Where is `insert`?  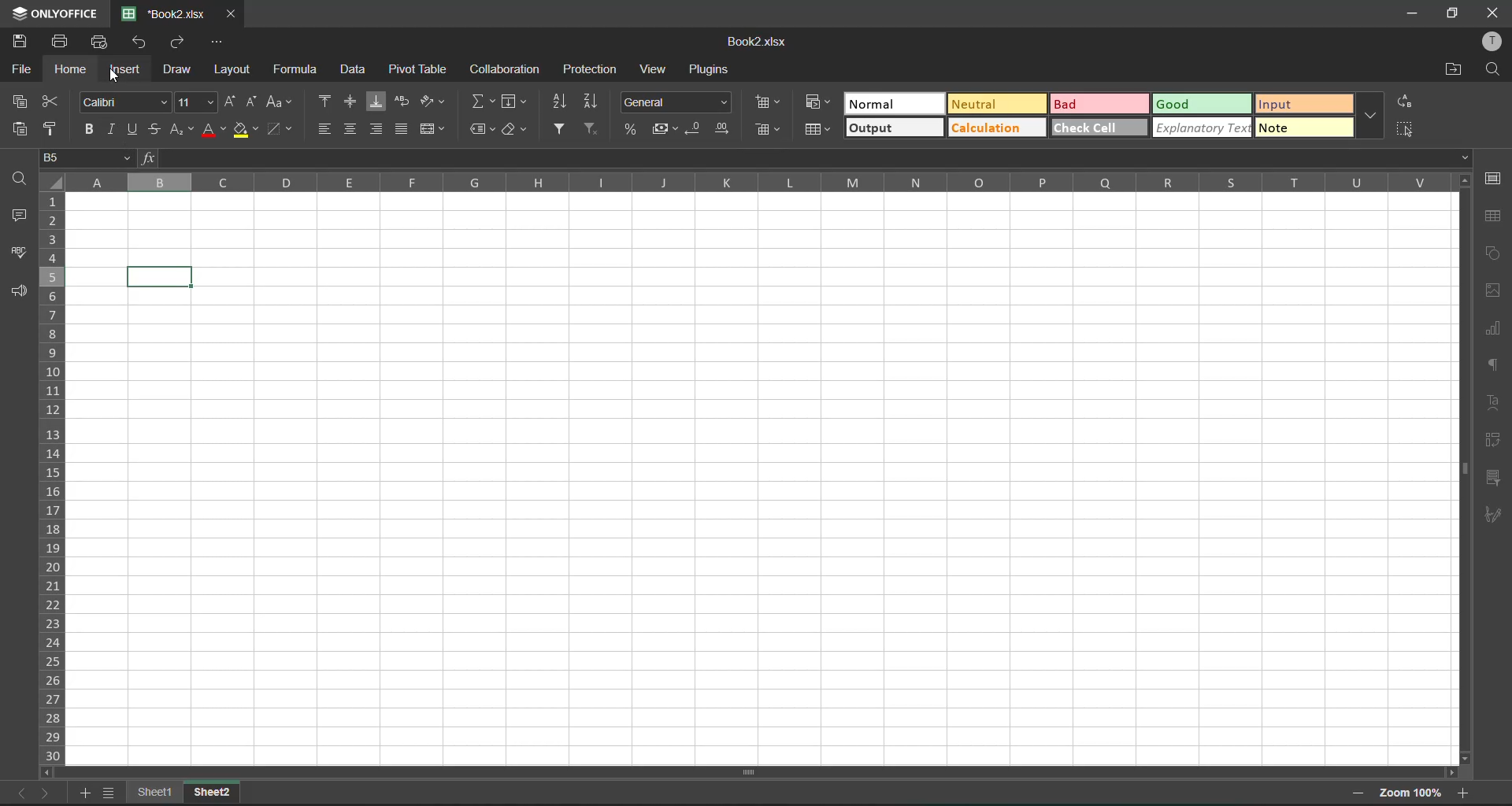
insert is located at coordinates (131, 68).